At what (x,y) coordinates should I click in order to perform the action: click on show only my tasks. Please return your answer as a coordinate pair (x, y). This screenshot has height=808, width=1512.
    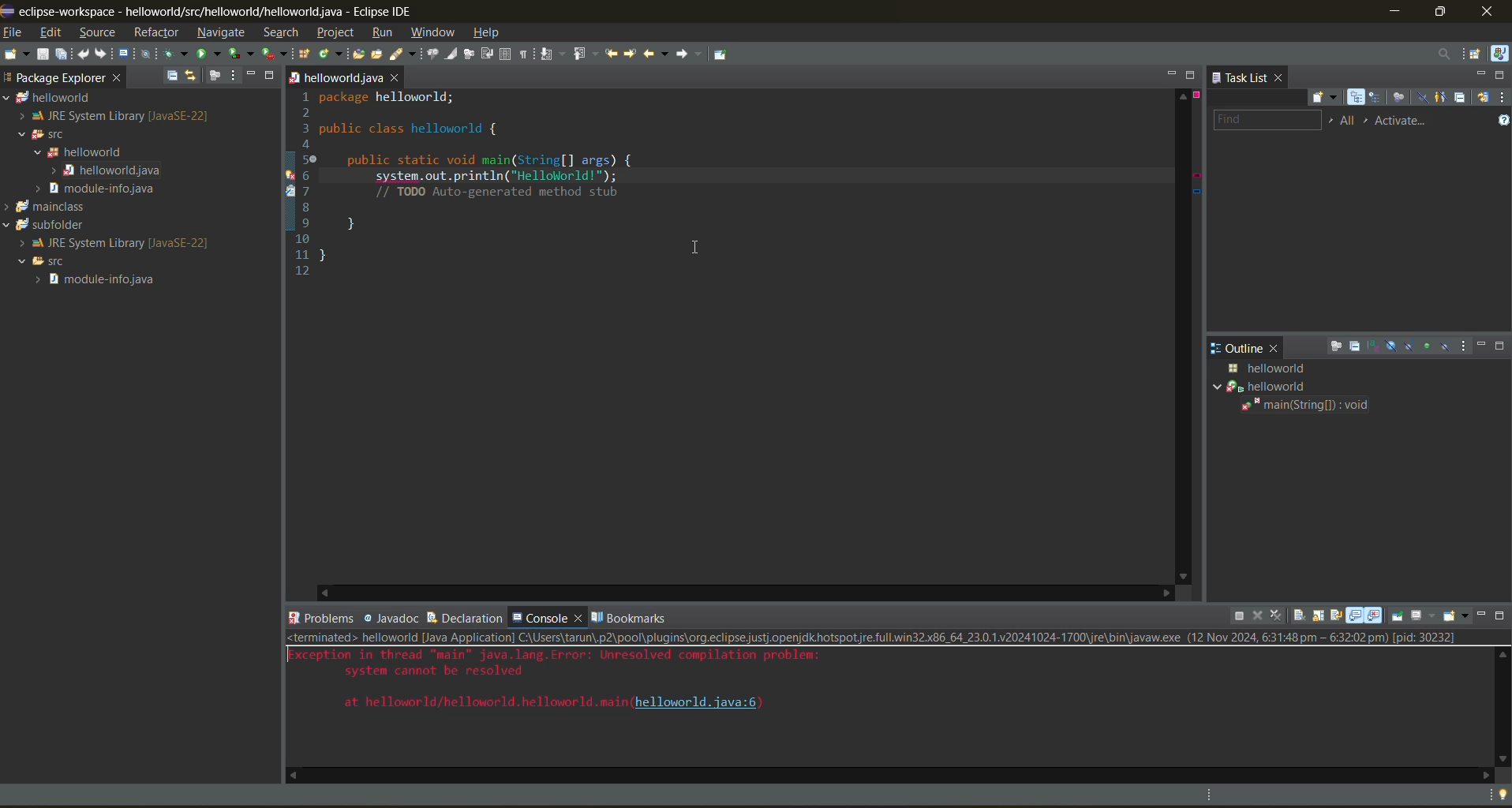
    Looking at the image, I should click on (1443, 98).